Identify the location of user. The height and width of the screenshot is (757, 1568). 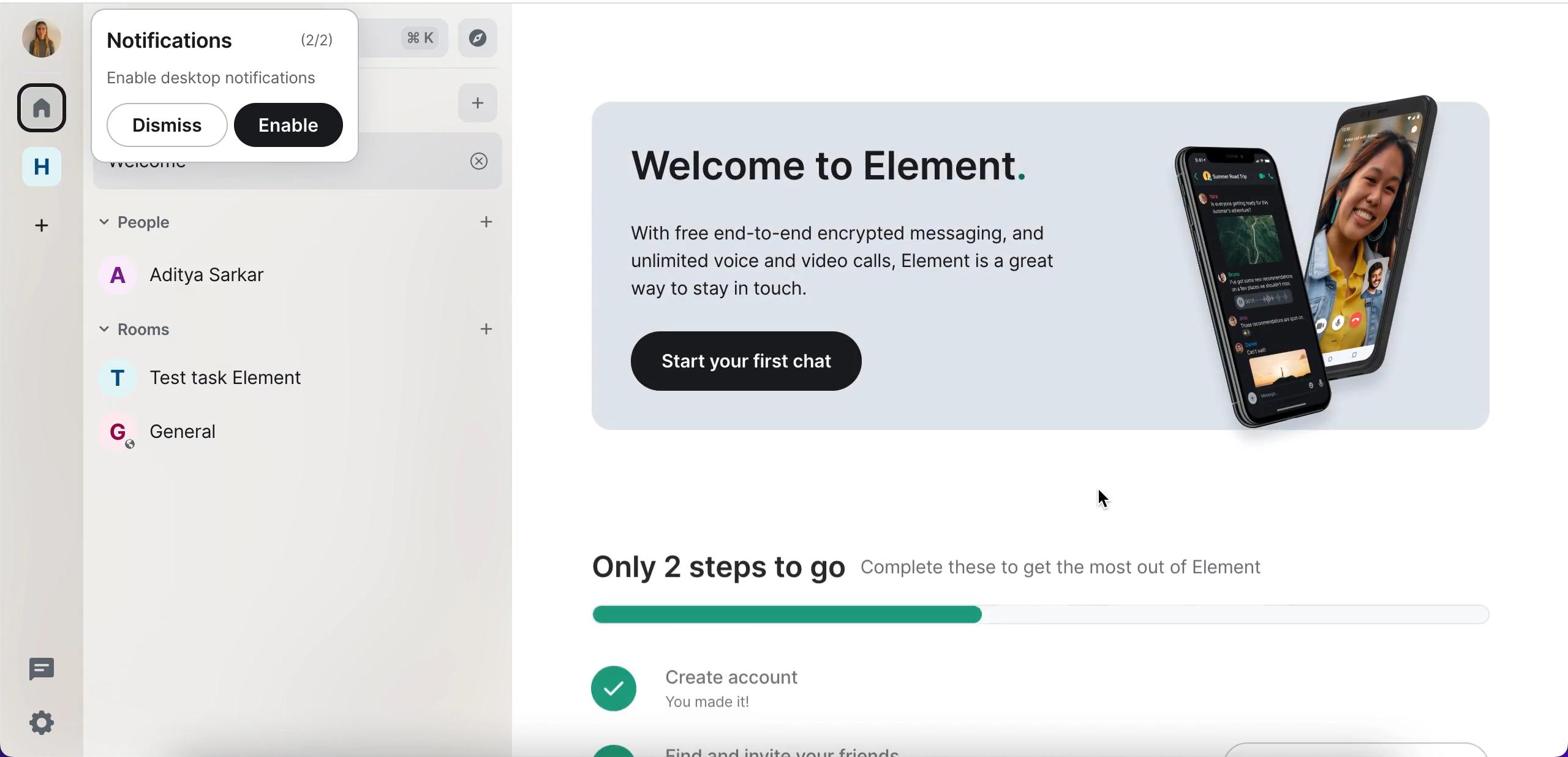
(42, 38).